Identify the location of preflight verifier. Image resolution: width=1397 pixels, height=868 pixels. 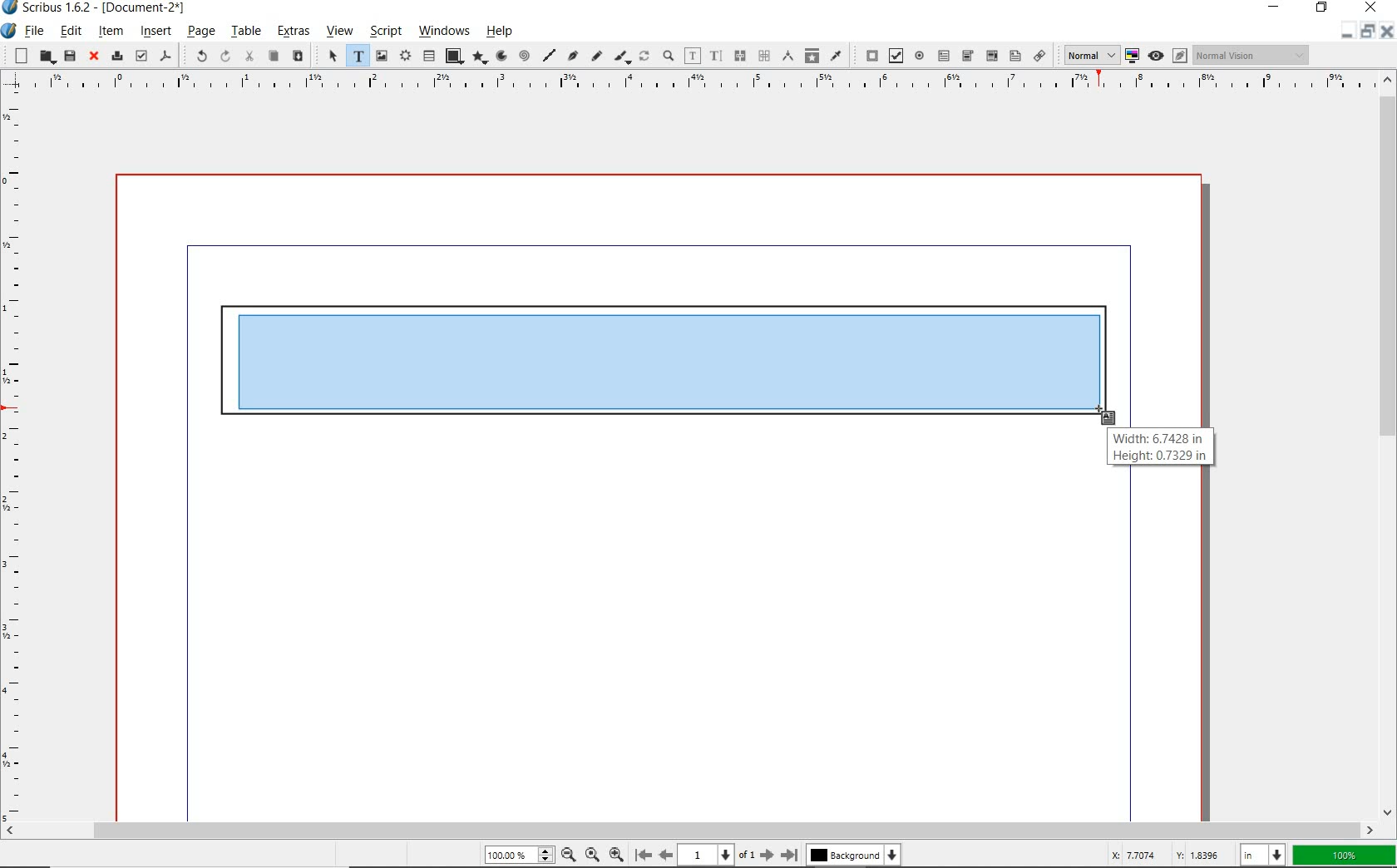
(141, 56).